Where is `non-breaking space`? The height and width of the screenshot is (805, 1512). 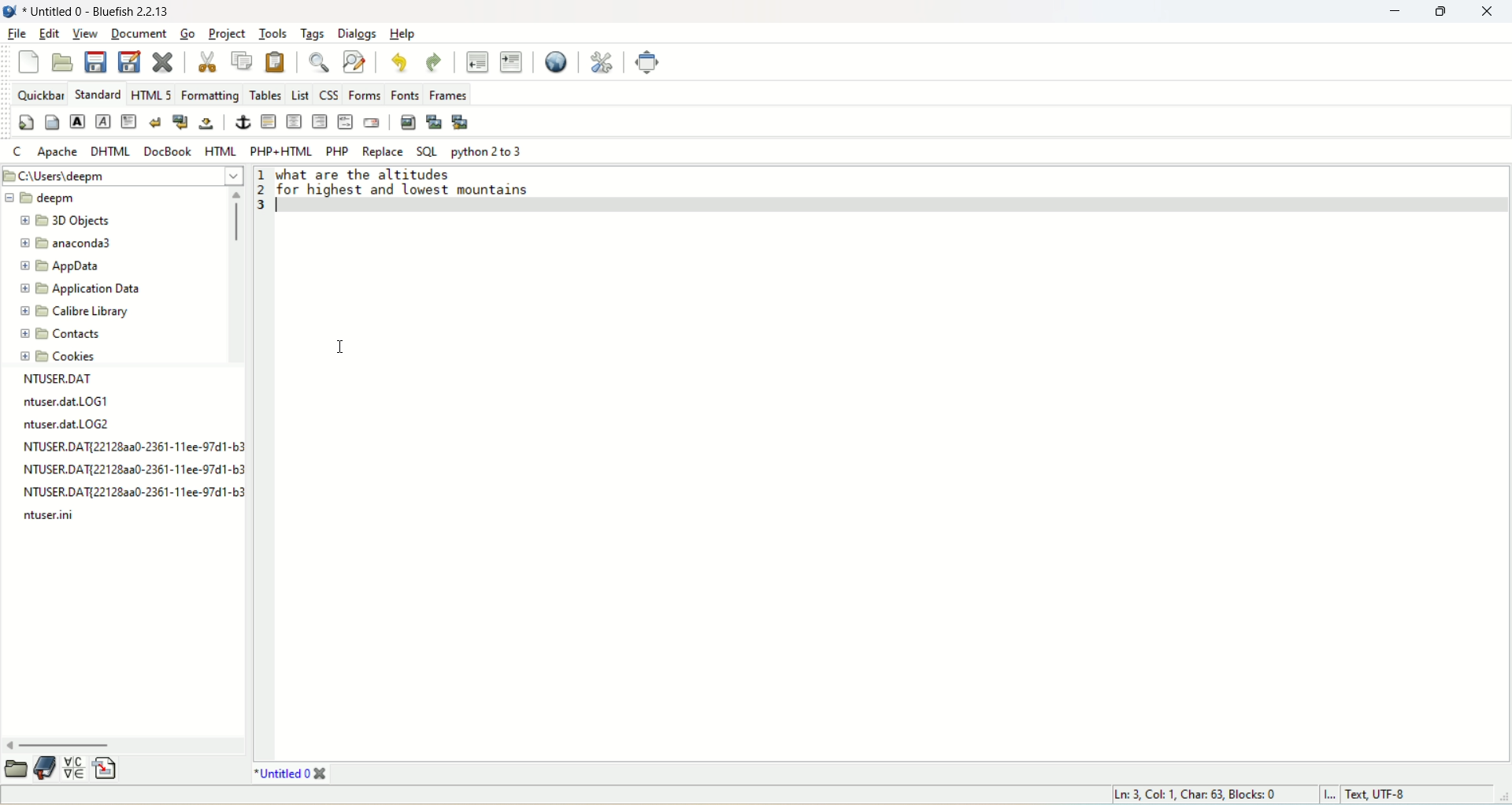 non-breaking space is located at coordinates (205, 125).